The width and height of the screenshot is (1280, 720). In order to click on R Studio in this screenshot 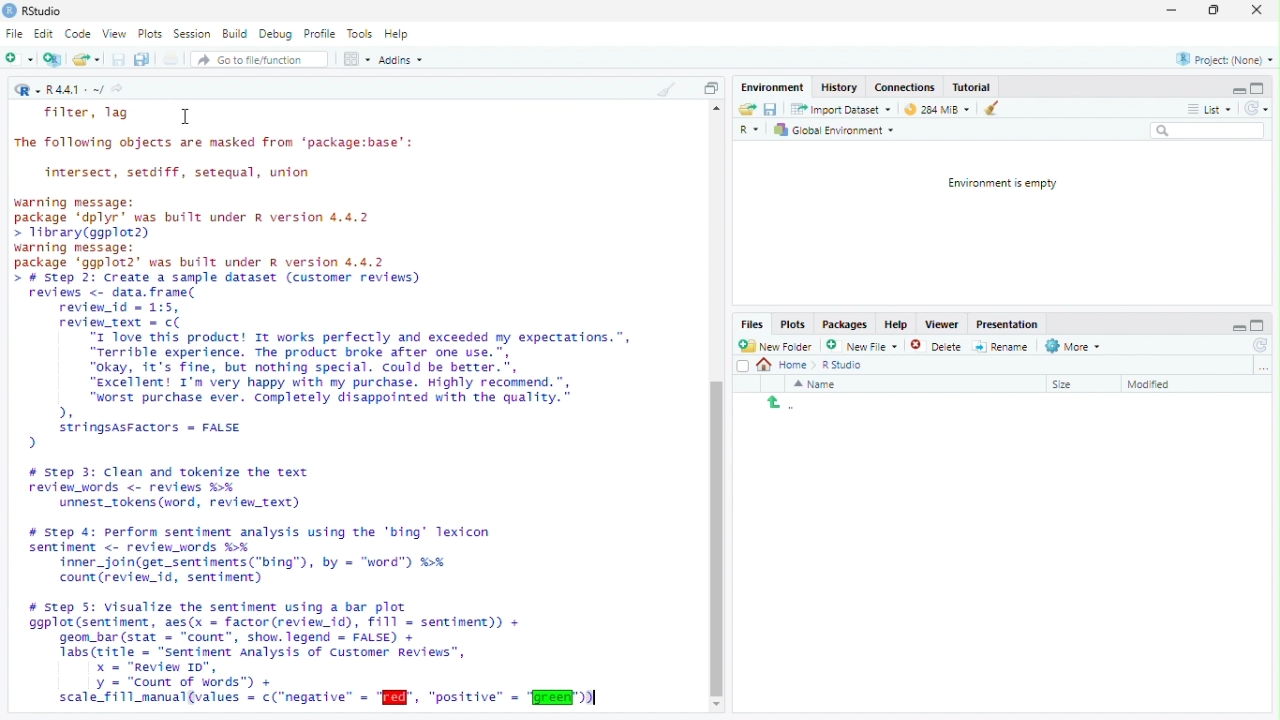, I will do `click(844, 366)`.